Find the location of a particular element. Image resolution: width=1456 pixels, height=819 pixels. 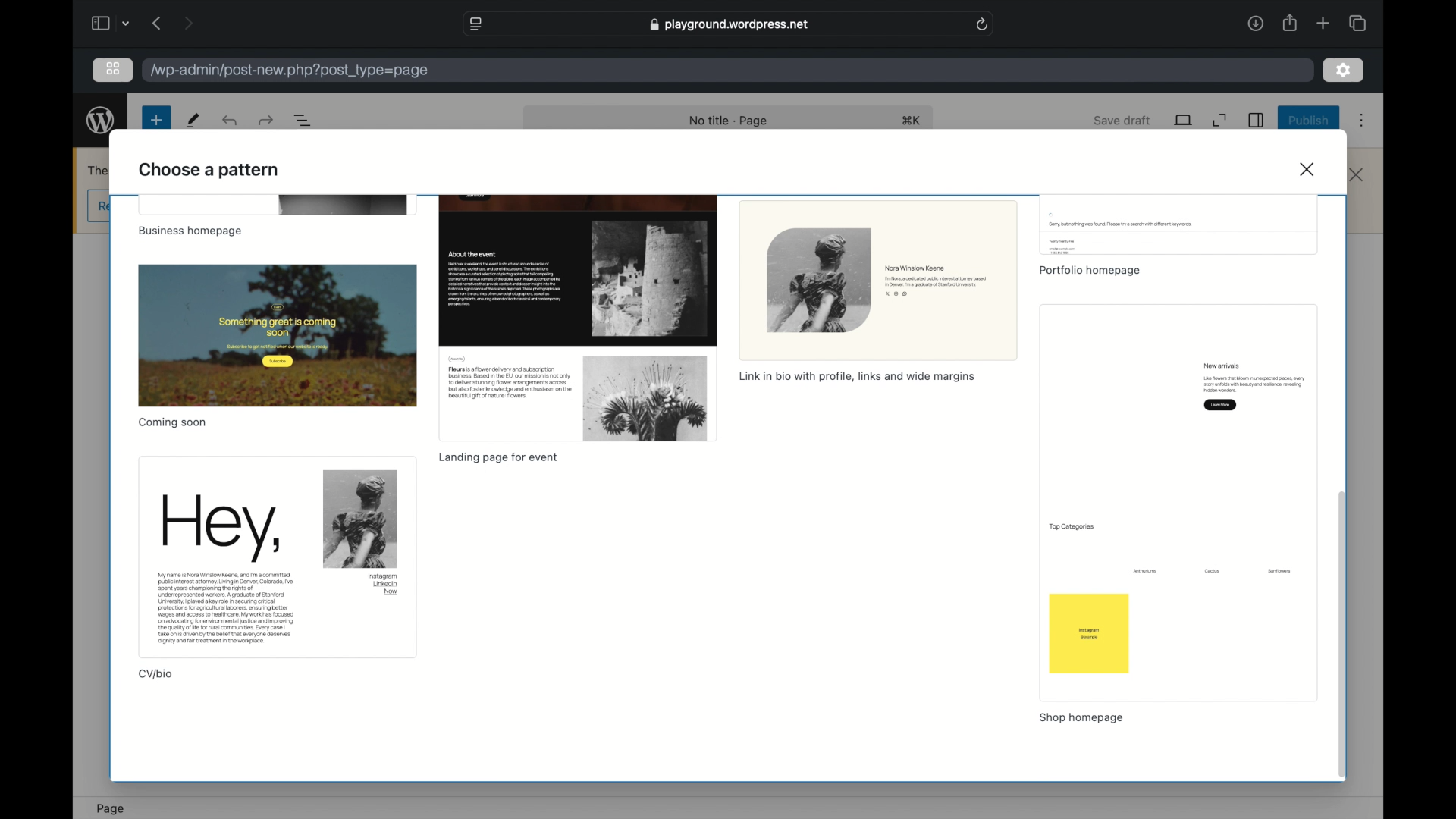

landing page for event is located at coordinates (499, 458).